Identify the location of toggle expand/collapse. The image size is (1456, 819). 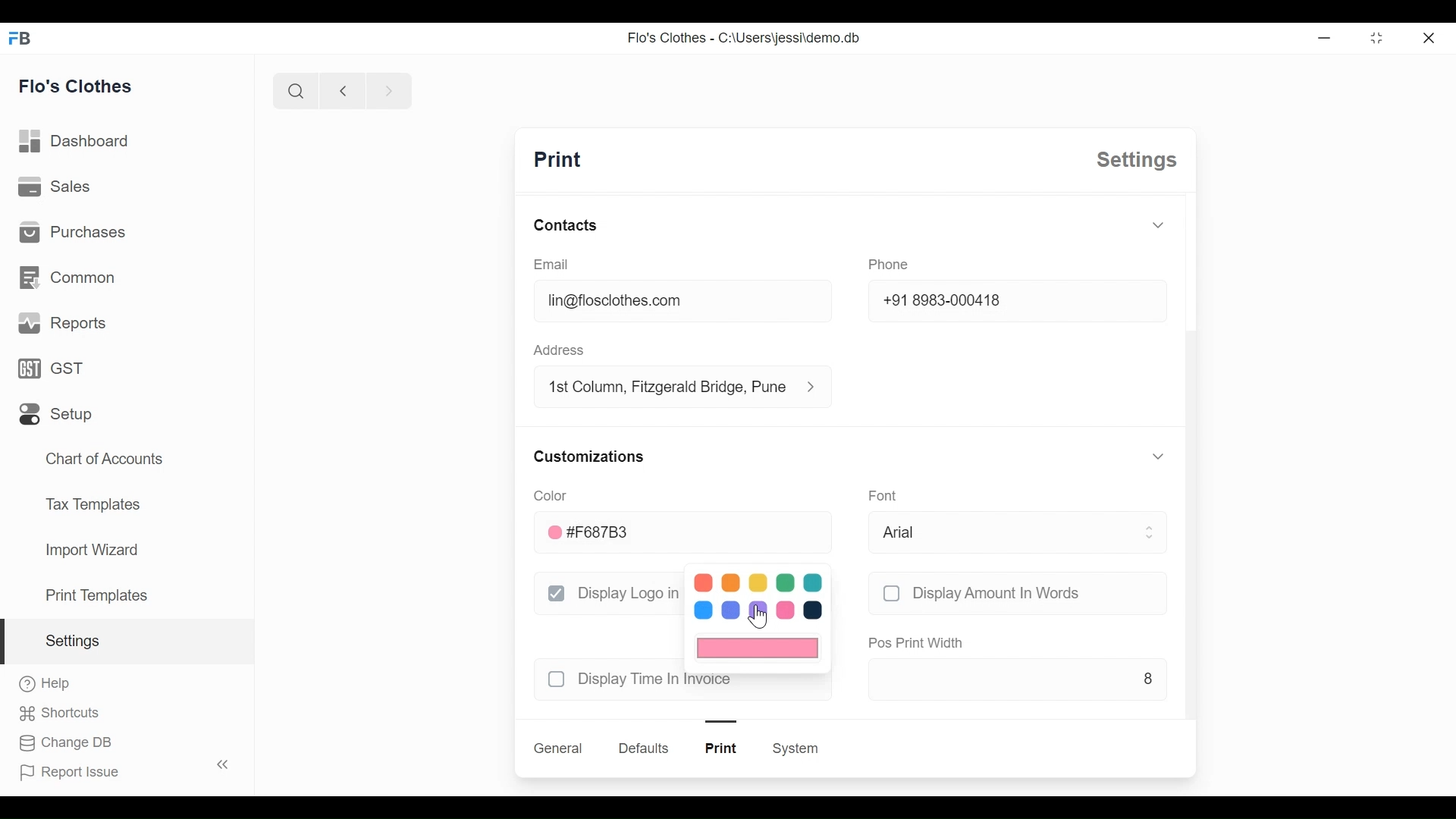
(1158, 224).